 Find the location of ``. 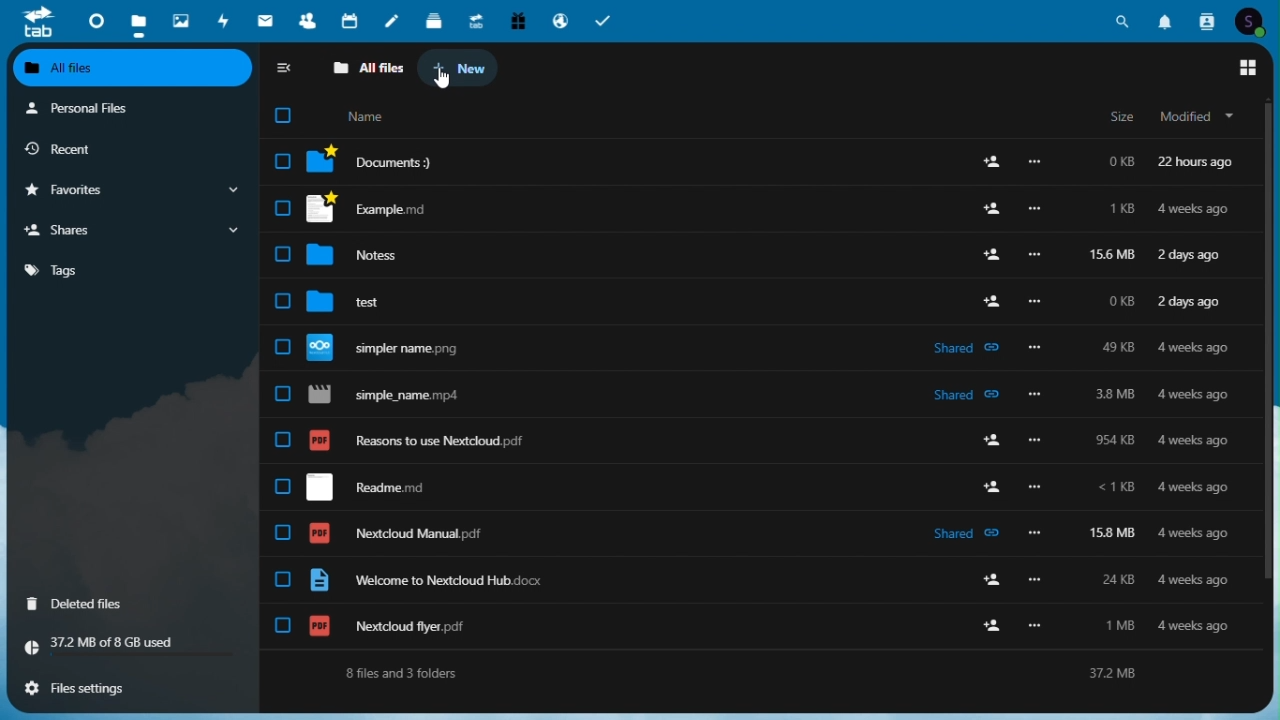

 is located at coordinates (1036, 164).